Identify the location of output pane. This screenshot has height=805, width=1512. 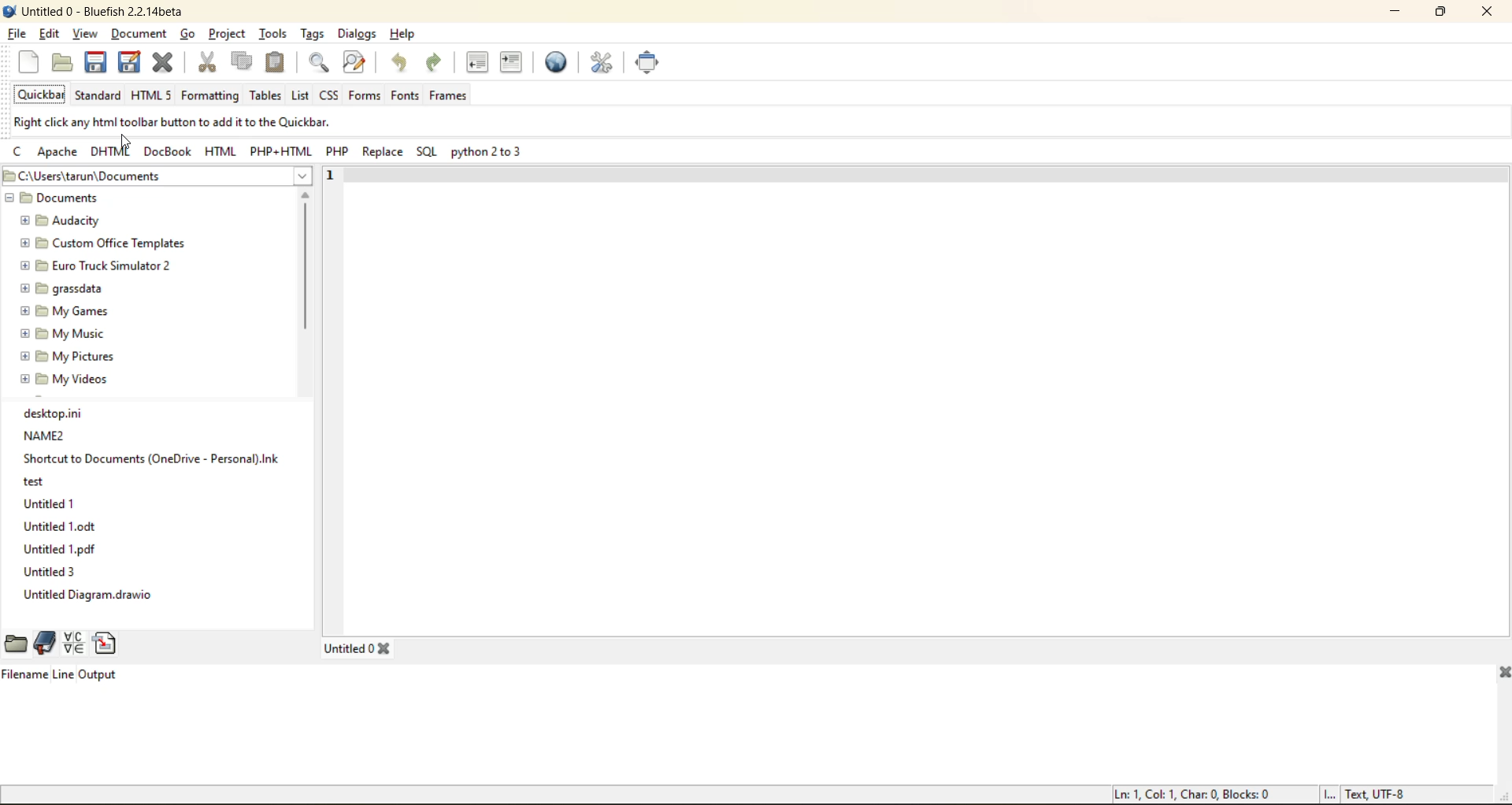
(60, 689).